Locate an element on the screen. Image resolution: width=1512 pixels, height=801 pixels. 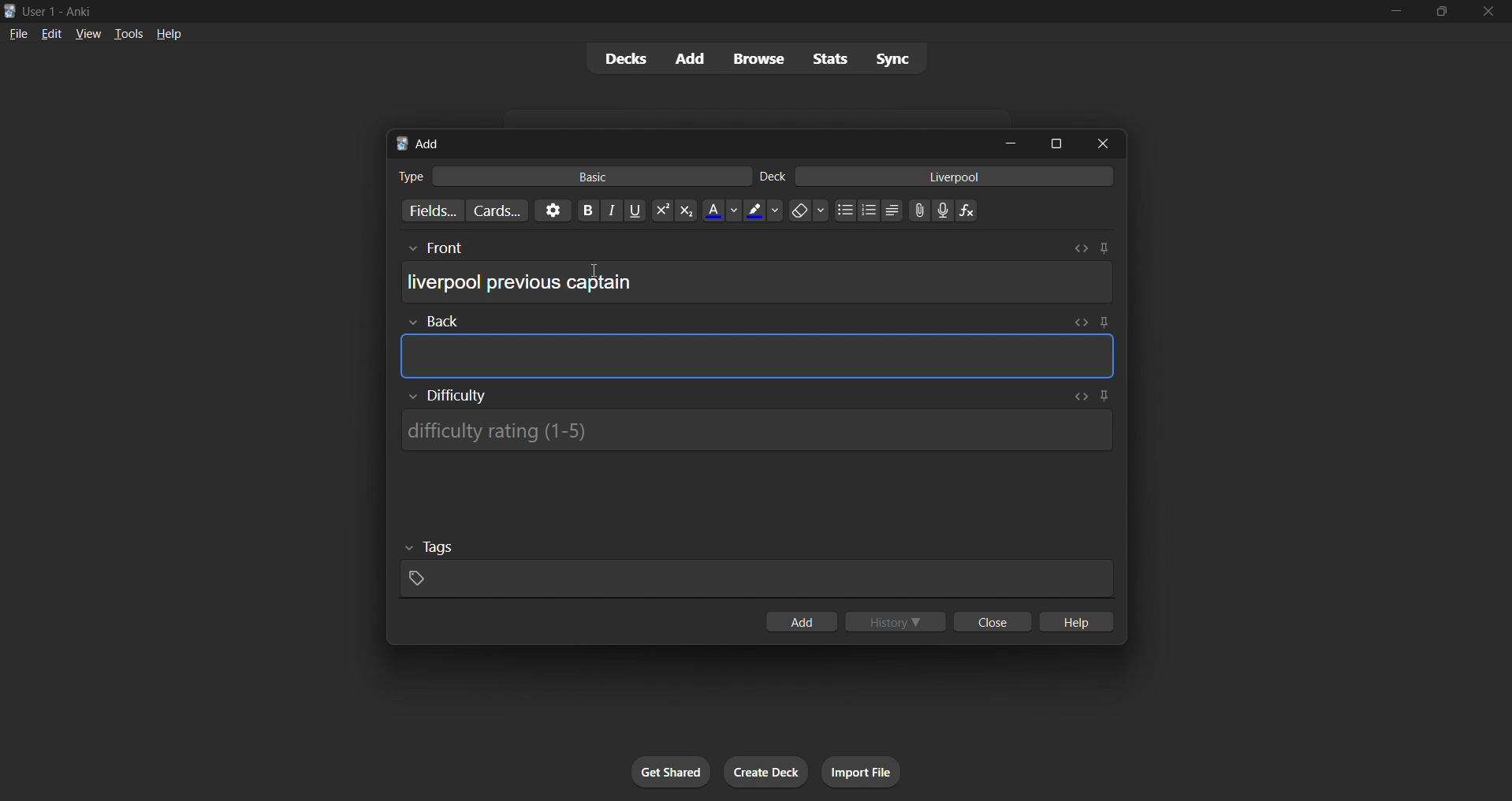
underline is located at coordinates (637, 210).